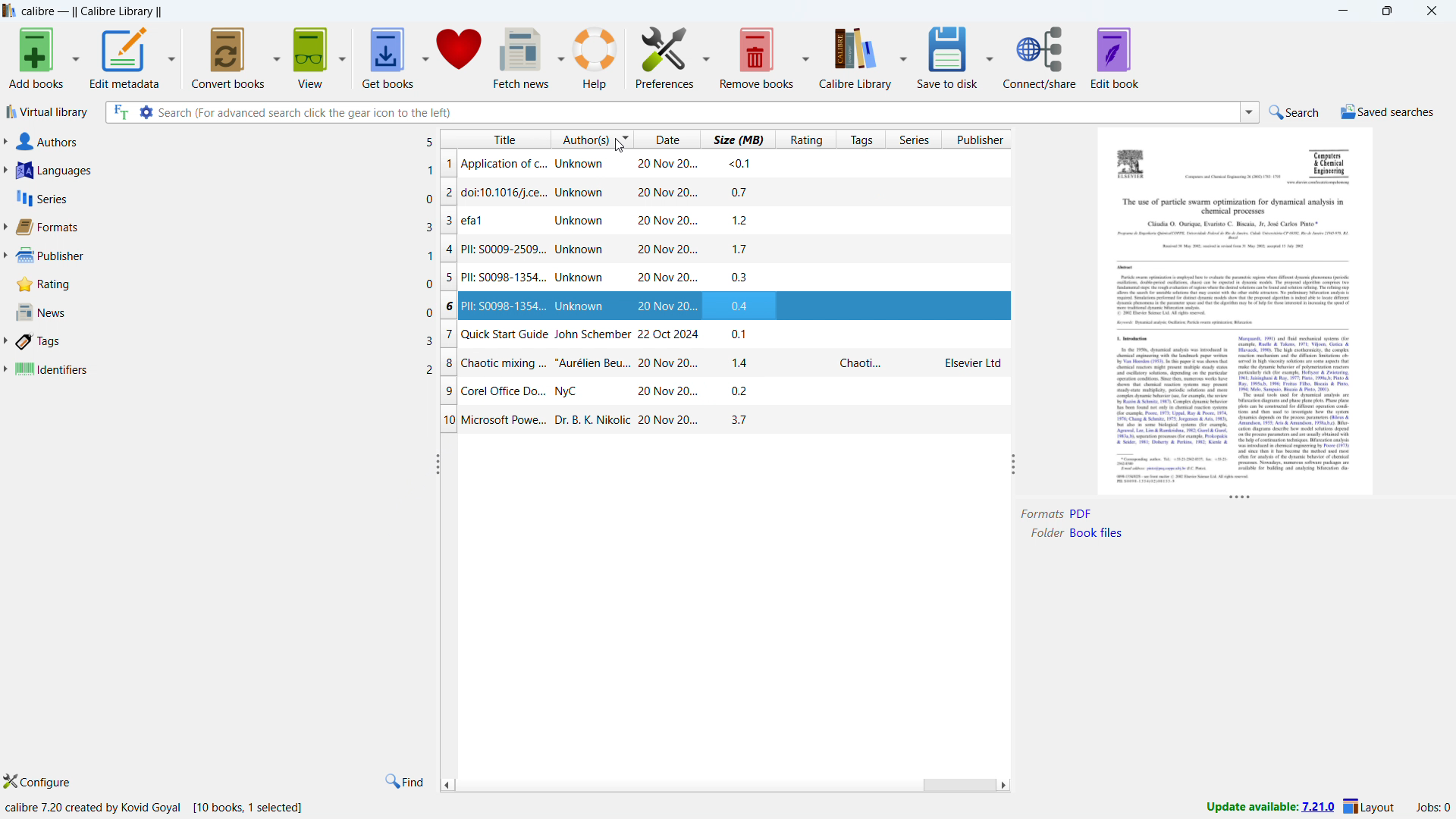  Describe the element at coordinates (42, 780) in the screenshot. I see `configure` at that location.